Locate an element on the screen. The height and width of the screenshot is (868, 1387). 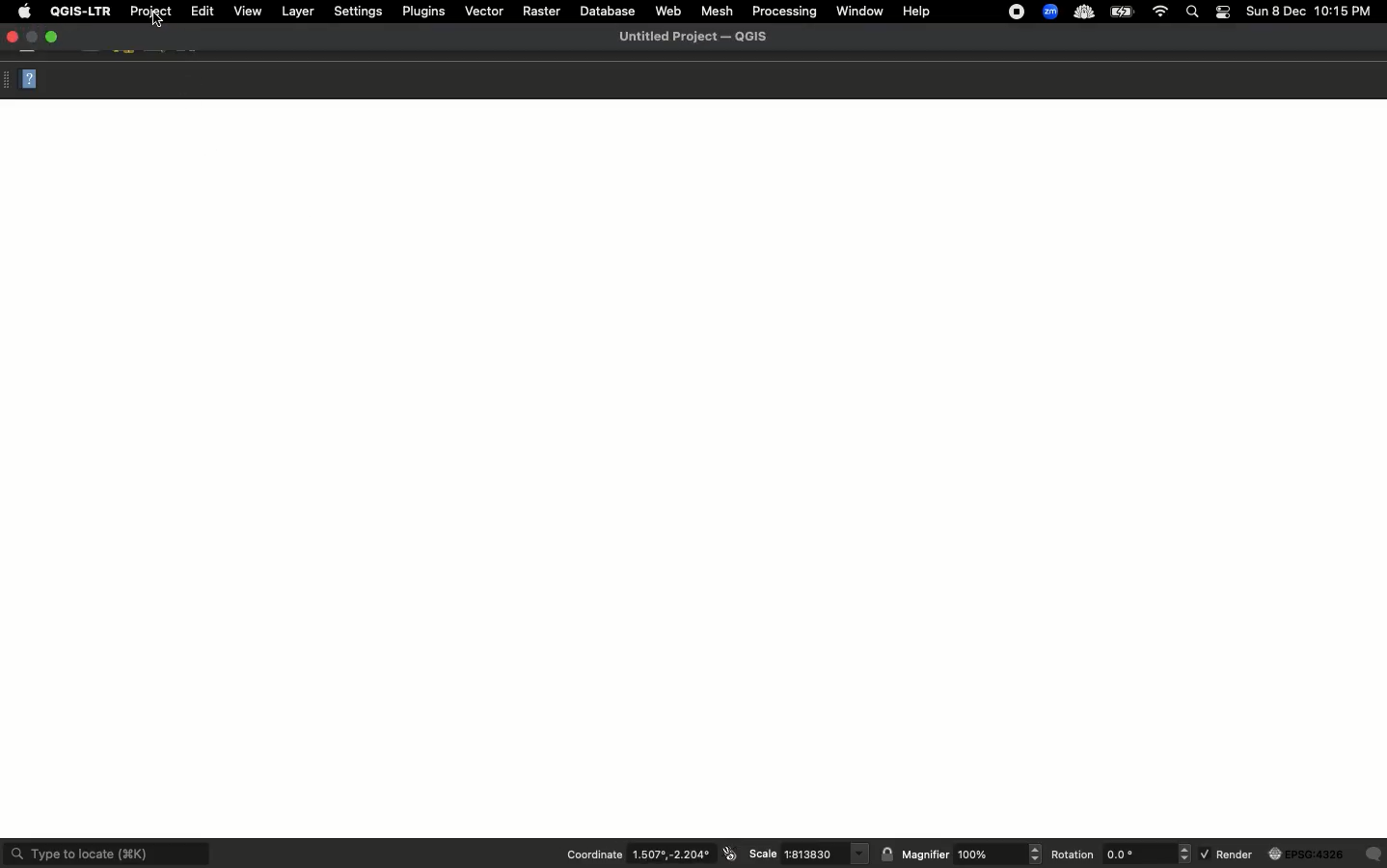
Render is located at coordinates (1228, 854).